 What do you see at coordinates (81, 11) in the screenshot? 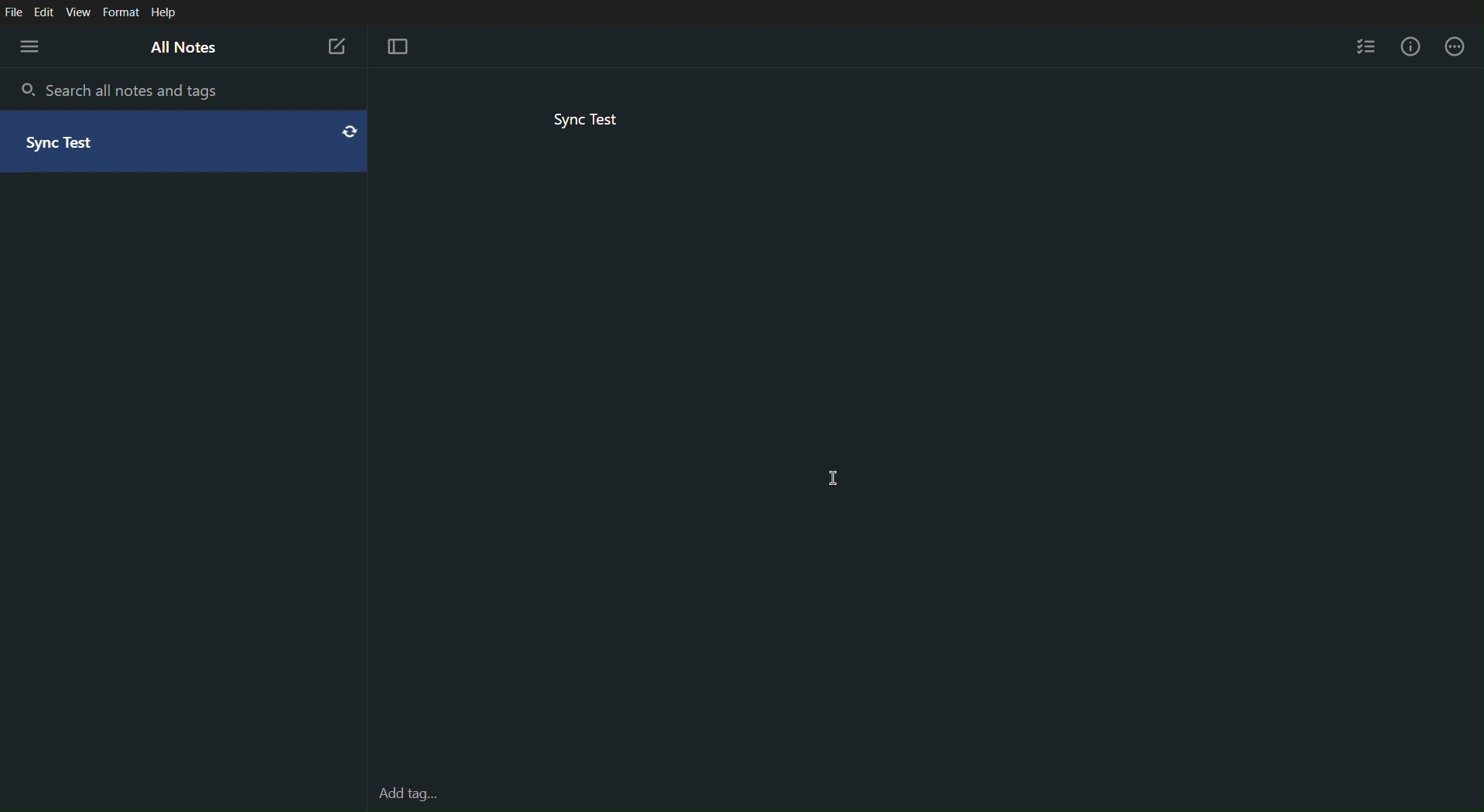
I see `View` at bounding box center [81, 11].